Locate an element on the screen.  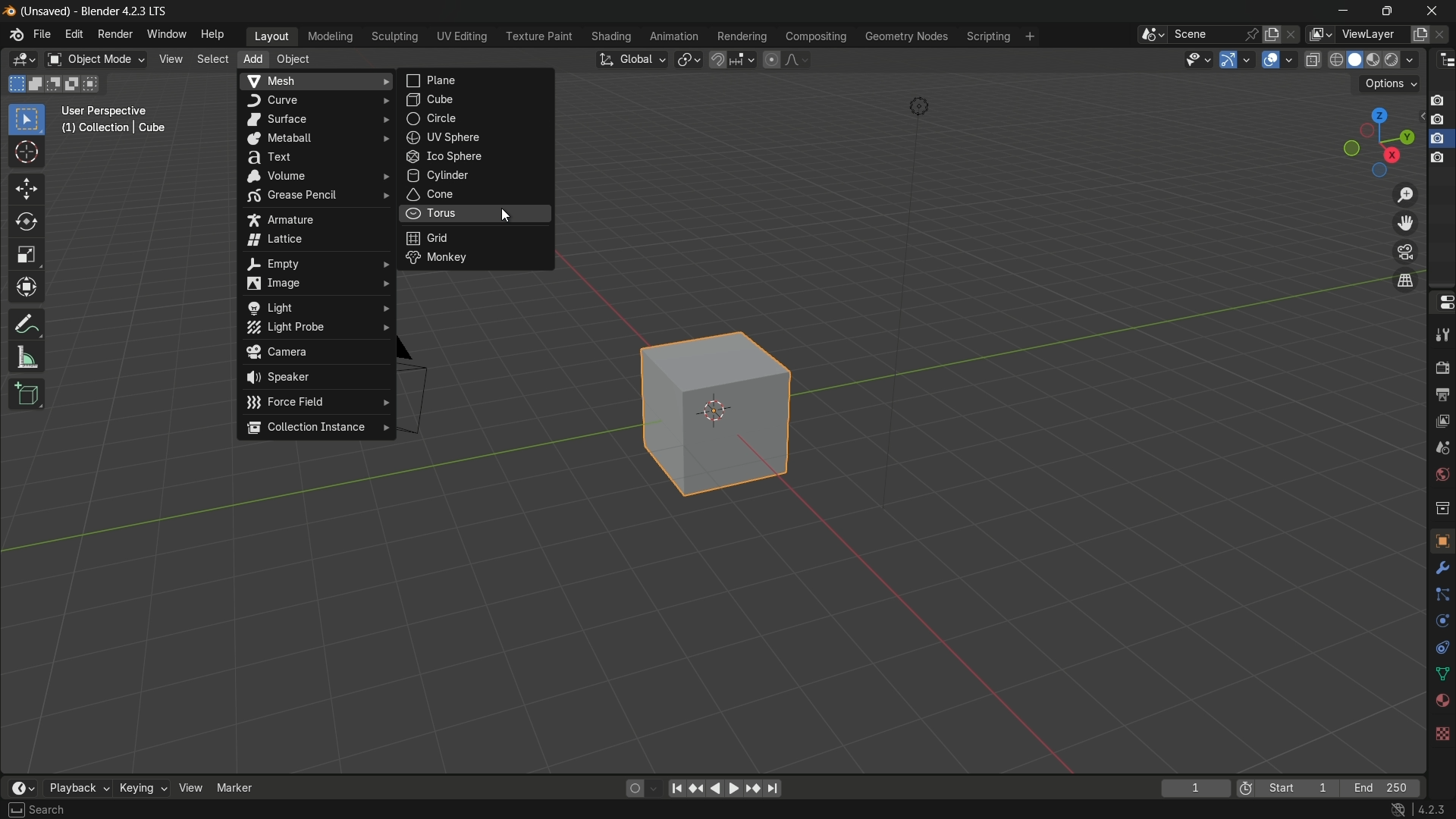
toggle the camera view is located at coordinates (1405, 252).